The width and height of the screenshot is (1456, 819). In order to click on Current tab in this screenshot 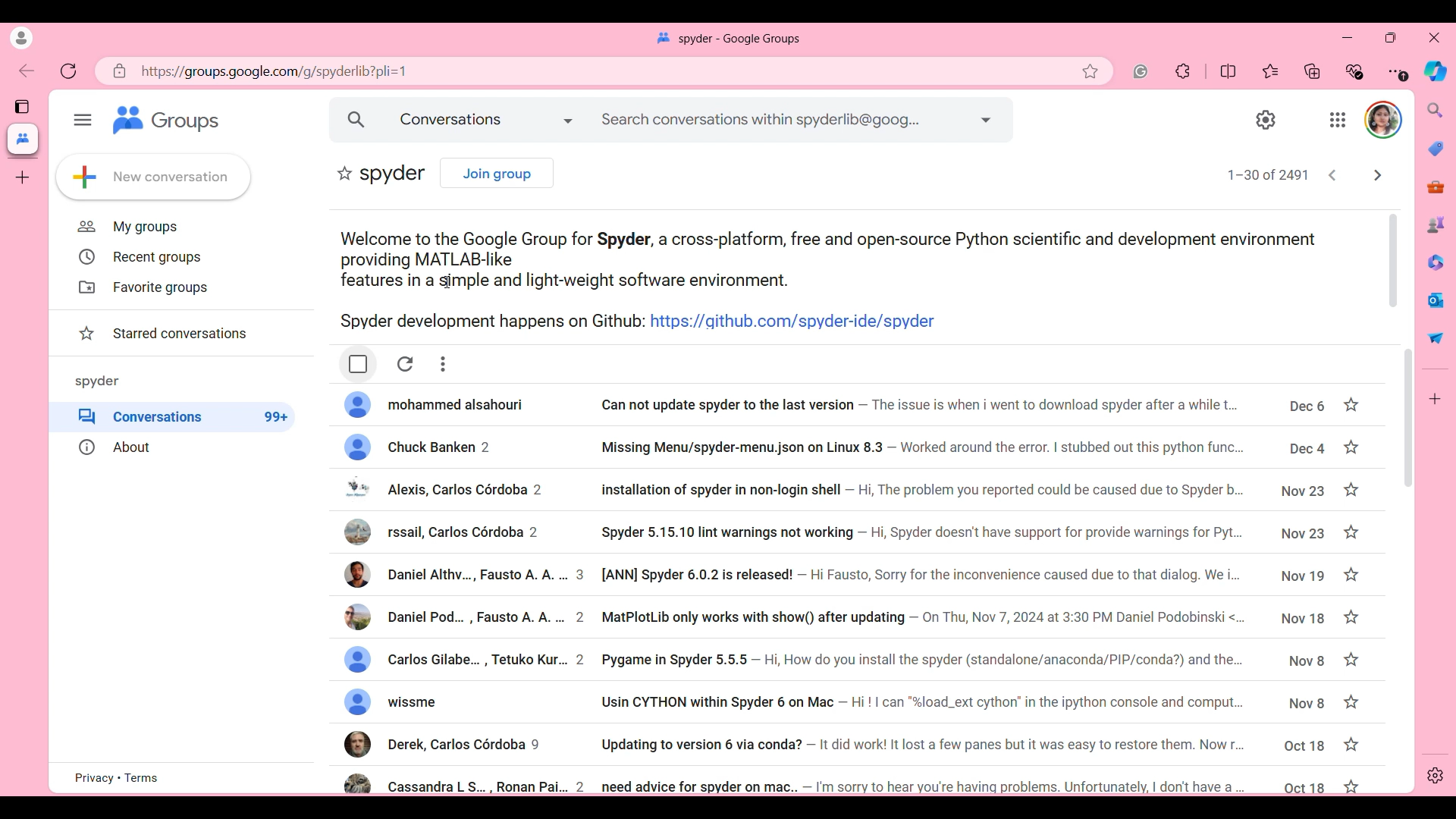, I will do `click(23, 139)`.